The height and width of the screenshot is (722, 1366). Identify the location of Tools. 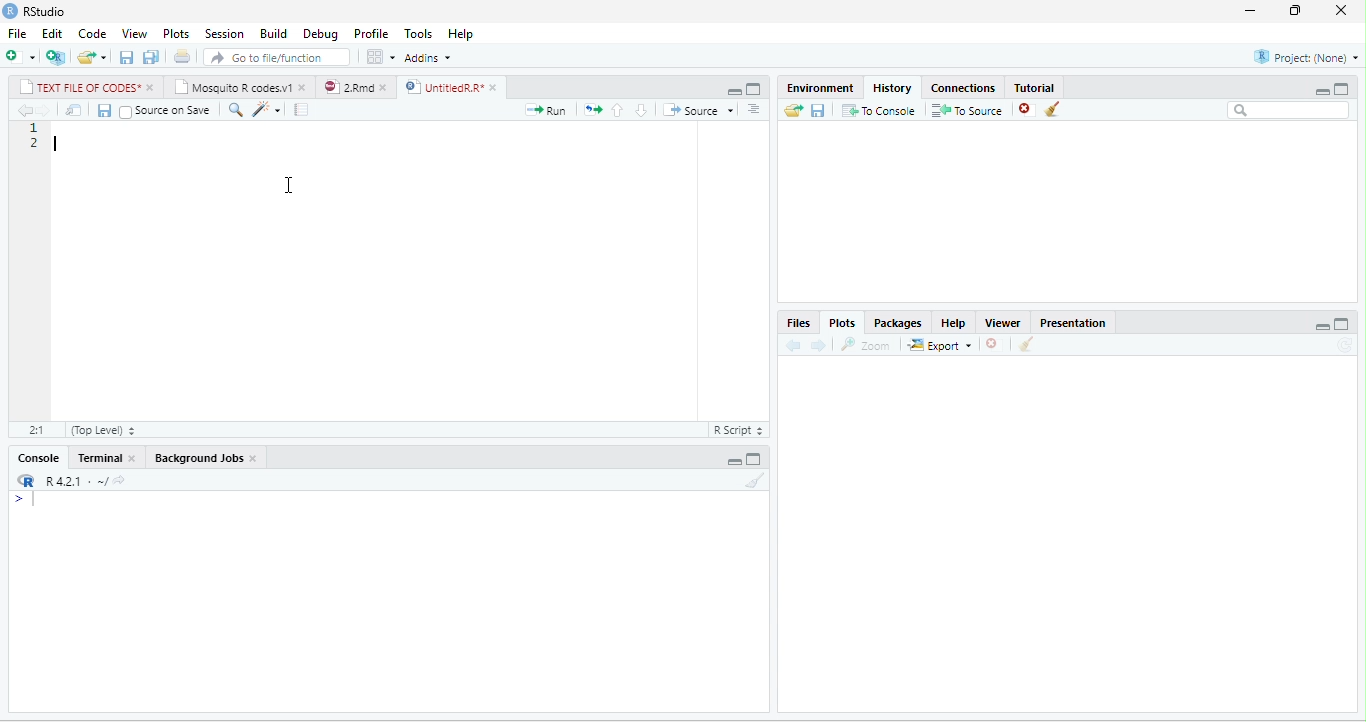
(418, 34).